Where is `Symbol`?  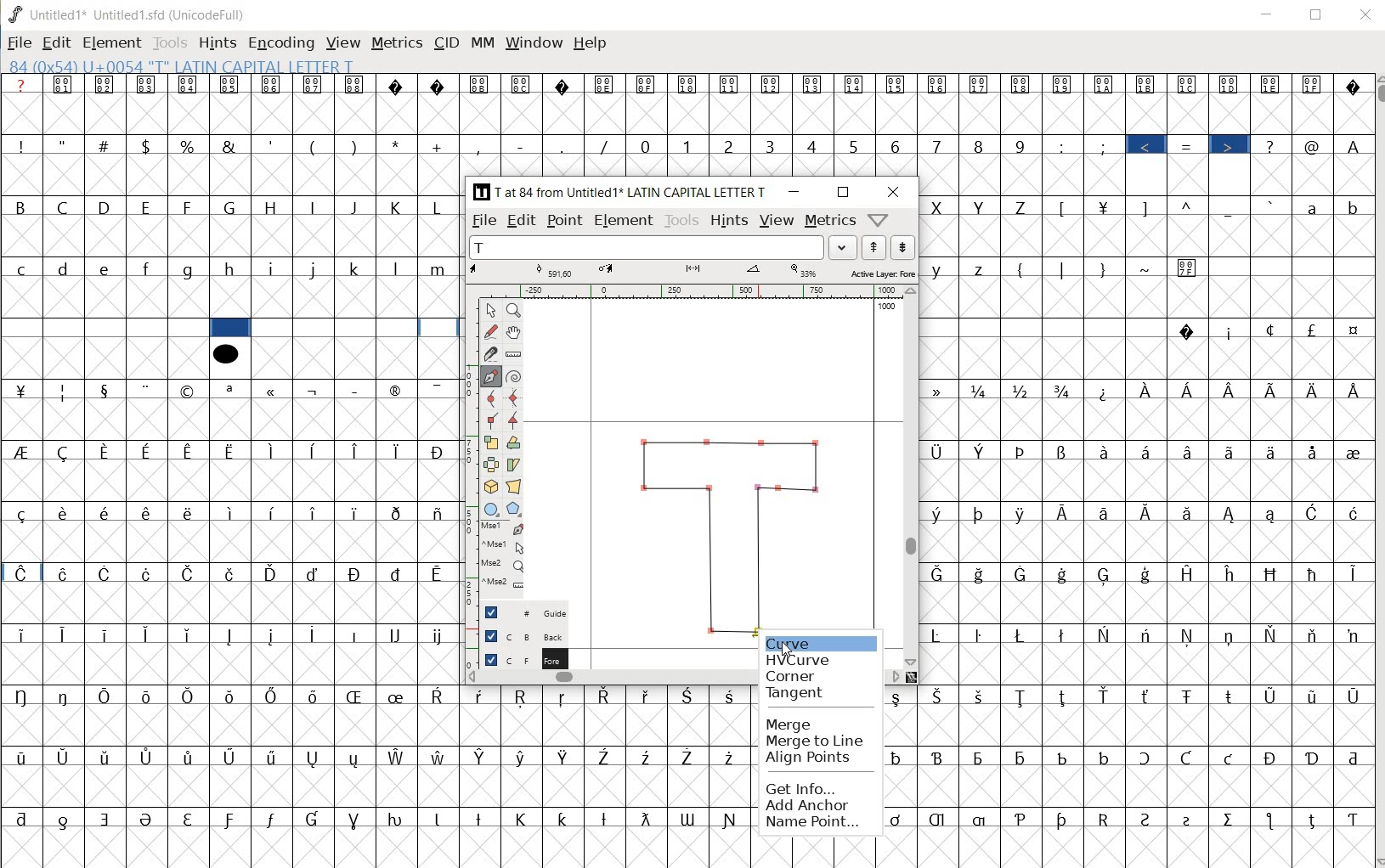 Symbol is located at coordinates (398, 757).